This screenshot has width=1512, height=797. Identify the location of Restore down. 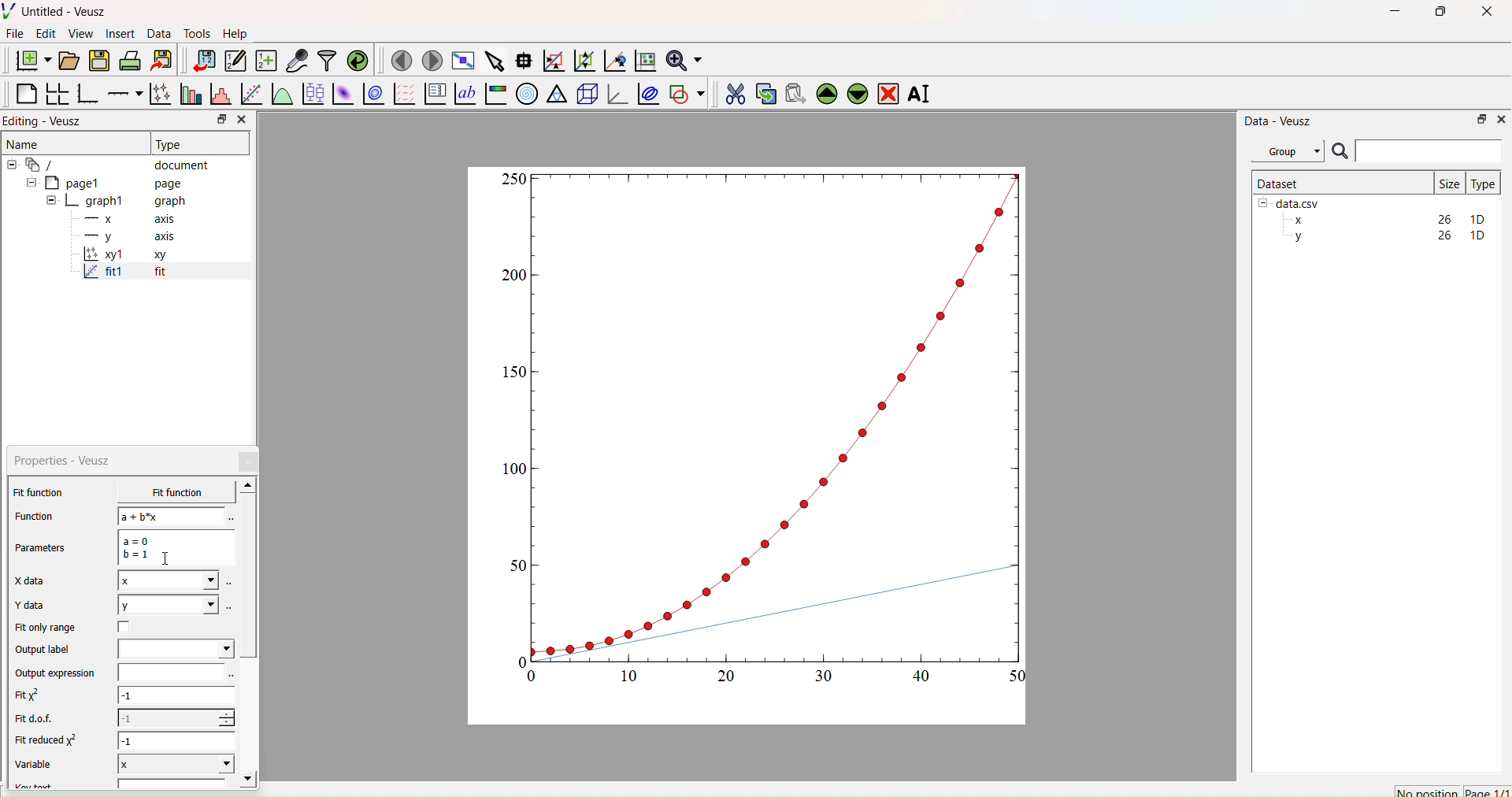
(218, 120).